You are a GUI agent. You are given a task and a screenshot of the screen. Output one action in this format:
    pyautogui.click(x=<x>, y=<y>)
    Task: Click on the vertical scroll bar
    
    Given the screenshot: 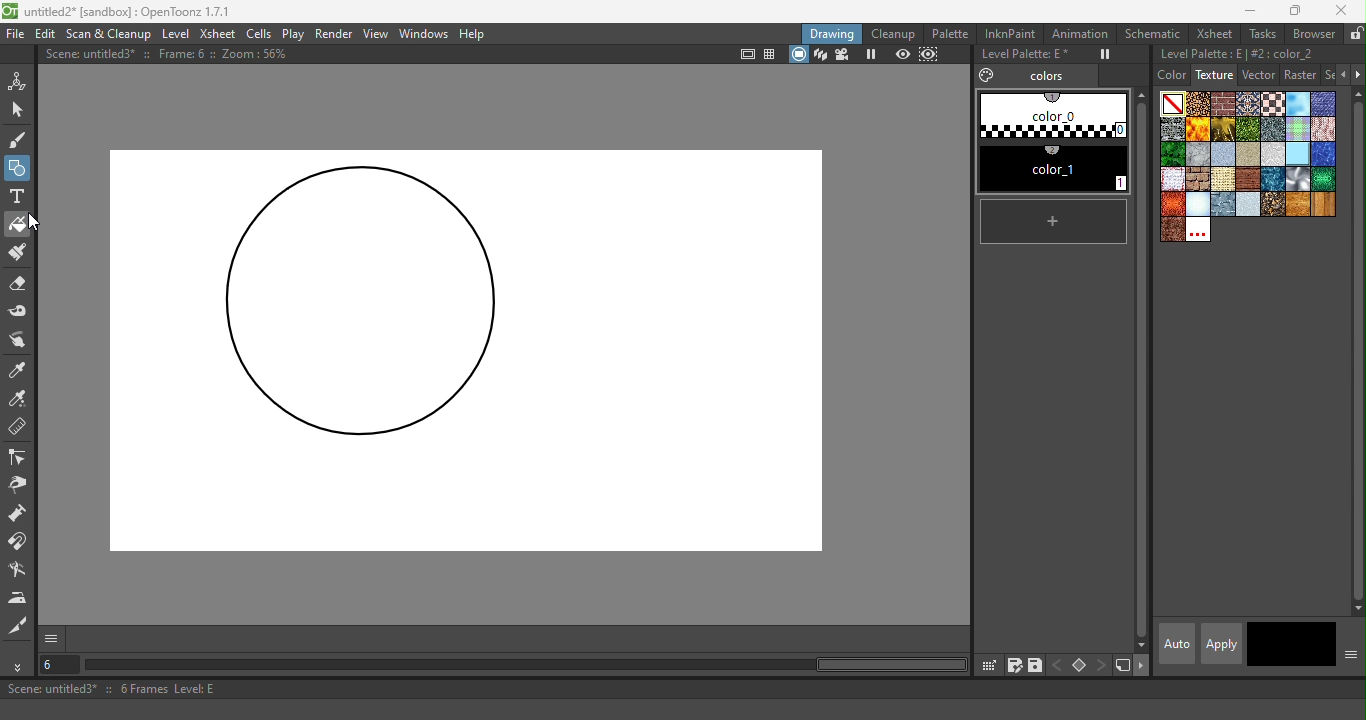 What is the action you would take?
    pyautogui.click(x=1139, y=369)
    